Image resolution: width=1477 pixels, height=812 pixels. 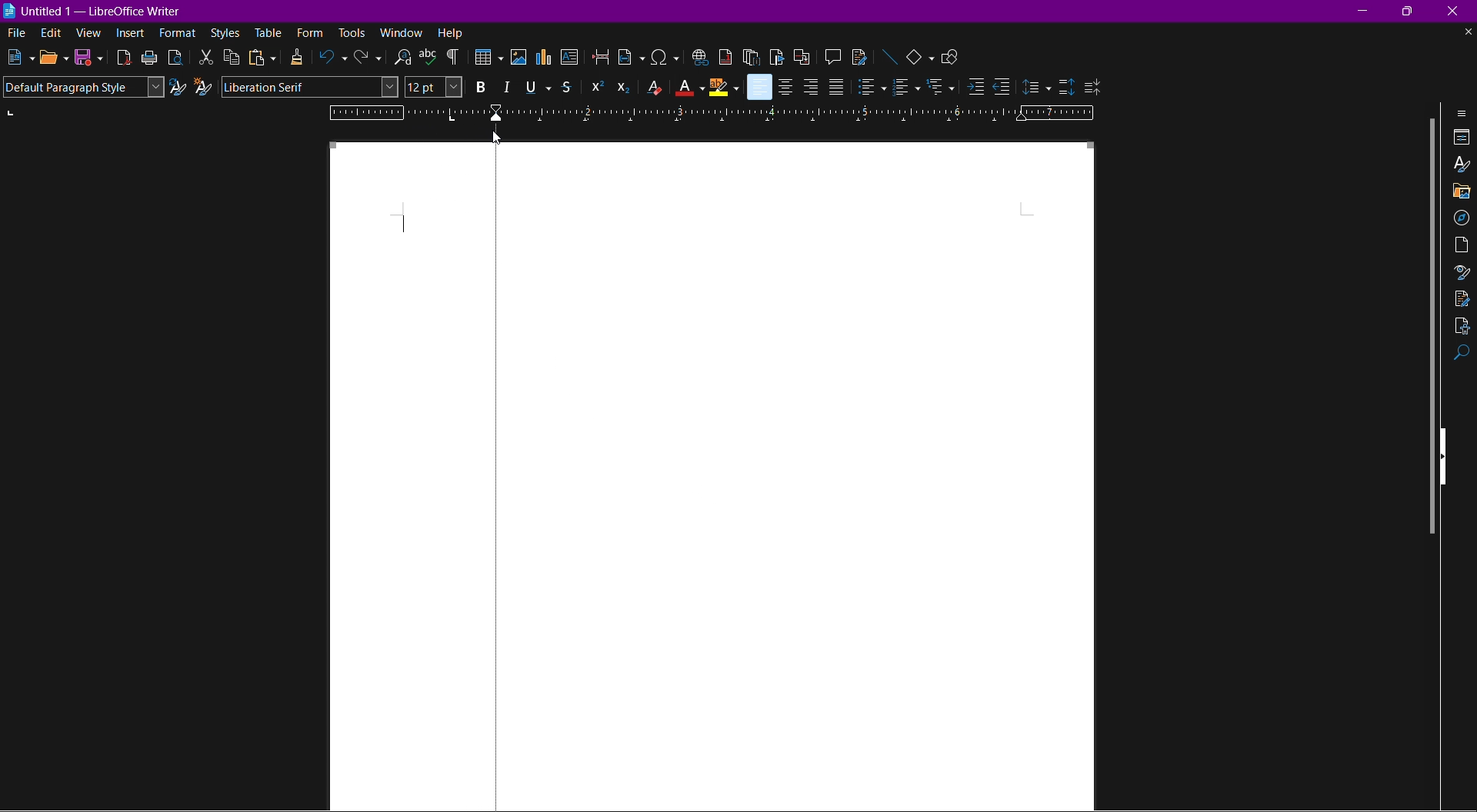 What do you see at coordinates (787, 86) in the screenshot?
I see `Align Center` at bounding box center [787, 86].